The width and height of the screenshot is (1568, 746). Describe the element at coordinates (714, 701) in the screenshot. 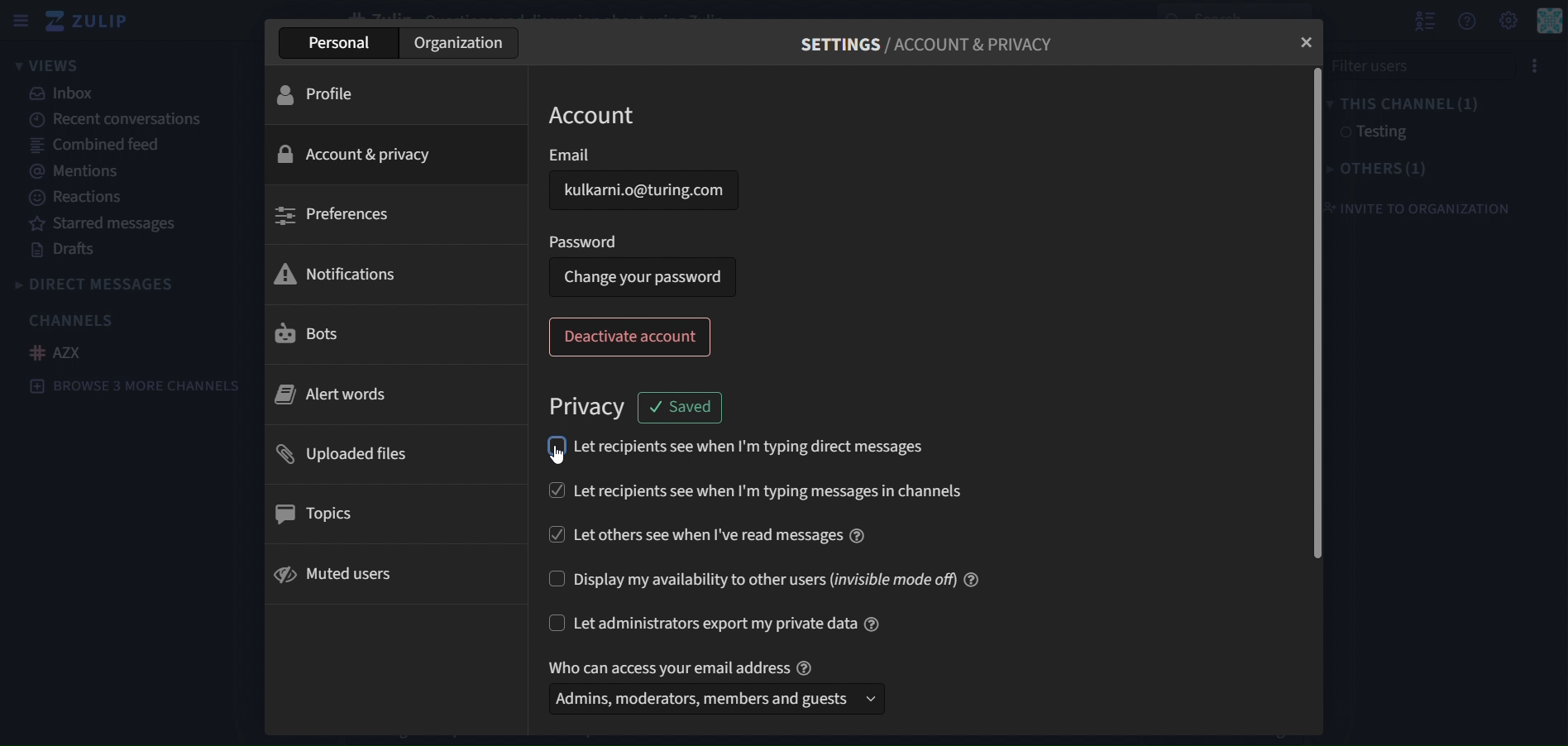

I see `Admin, moderators, members and guest` at that location.